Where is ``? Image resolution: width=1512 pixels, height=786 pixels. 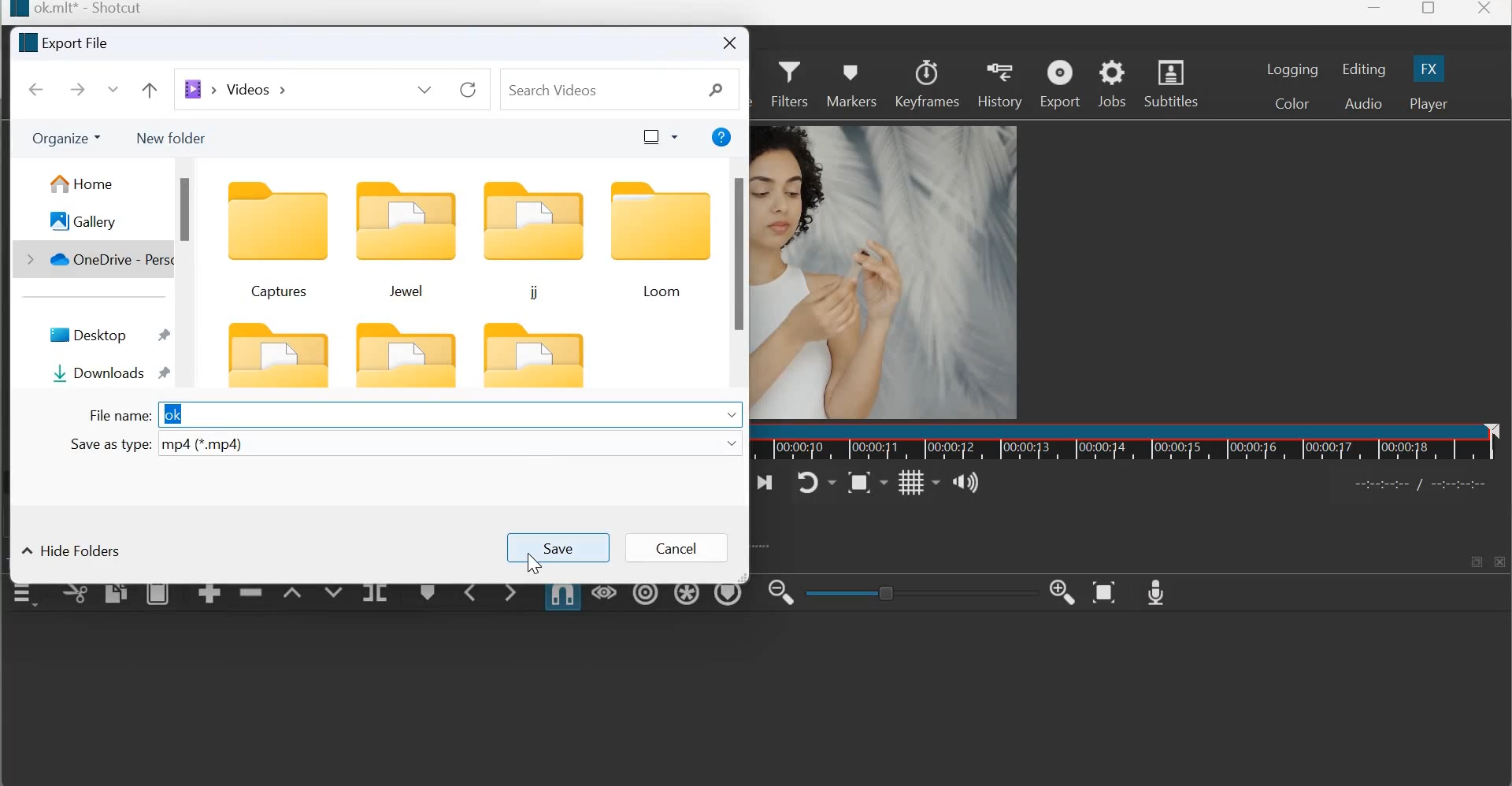
 is located at coordinates (532, 565).